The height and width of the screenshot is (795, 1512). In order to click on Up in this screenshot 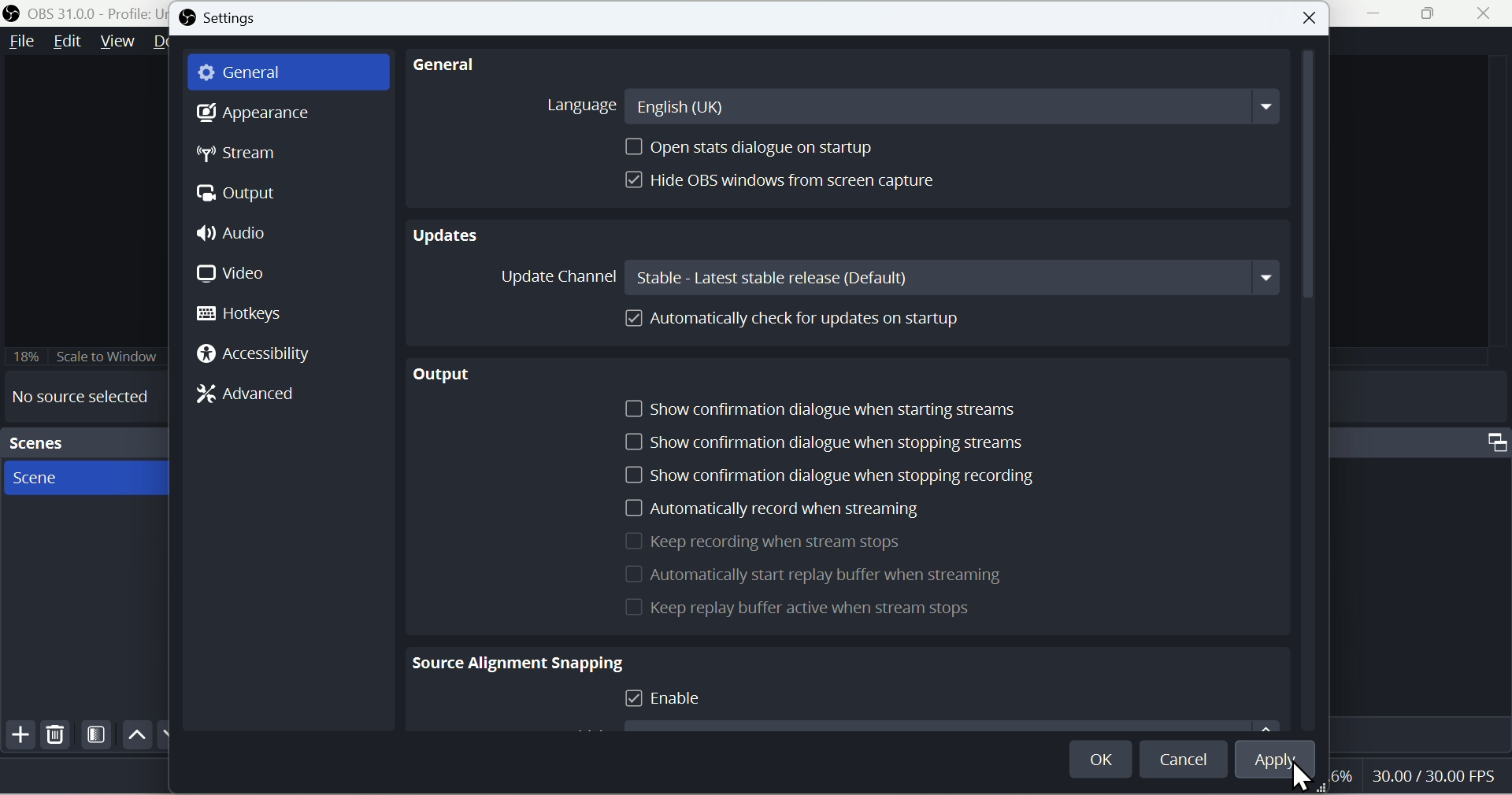, I will do `click(138, 738)`.